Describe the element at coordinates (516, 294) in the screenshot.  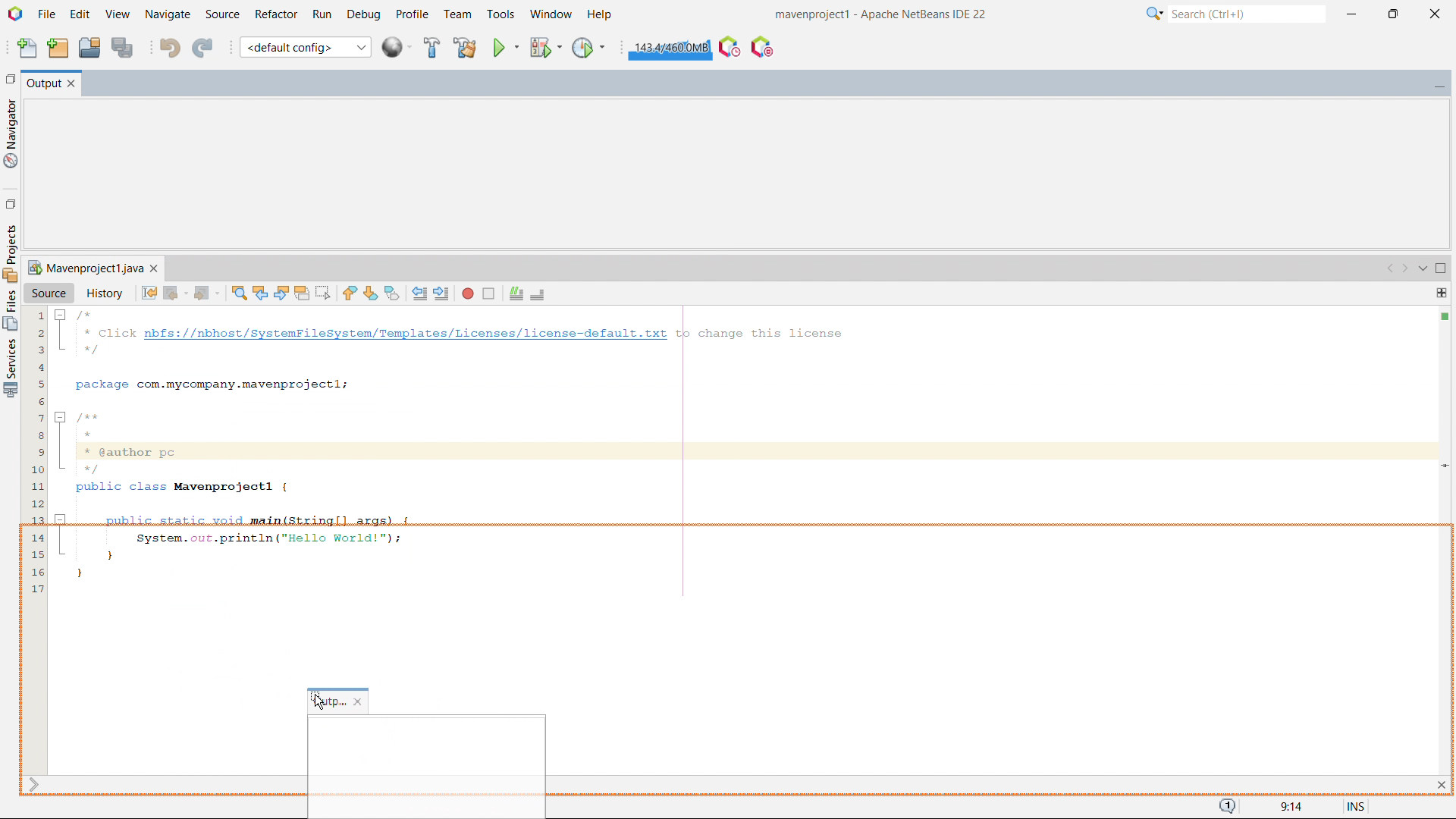
I see `comment` at that location.